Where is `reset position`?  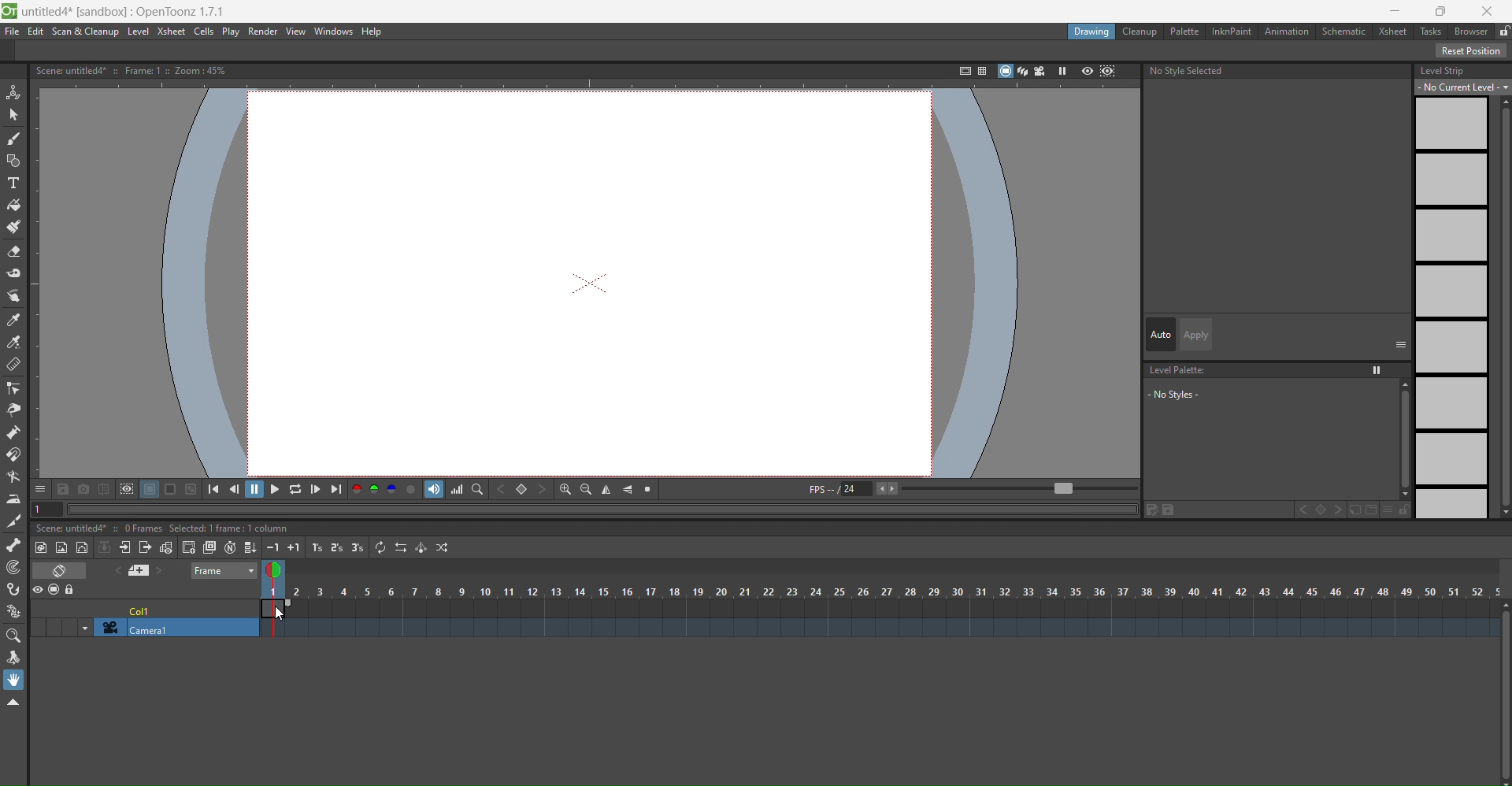
reset position is located at coordinates (1472, 50).